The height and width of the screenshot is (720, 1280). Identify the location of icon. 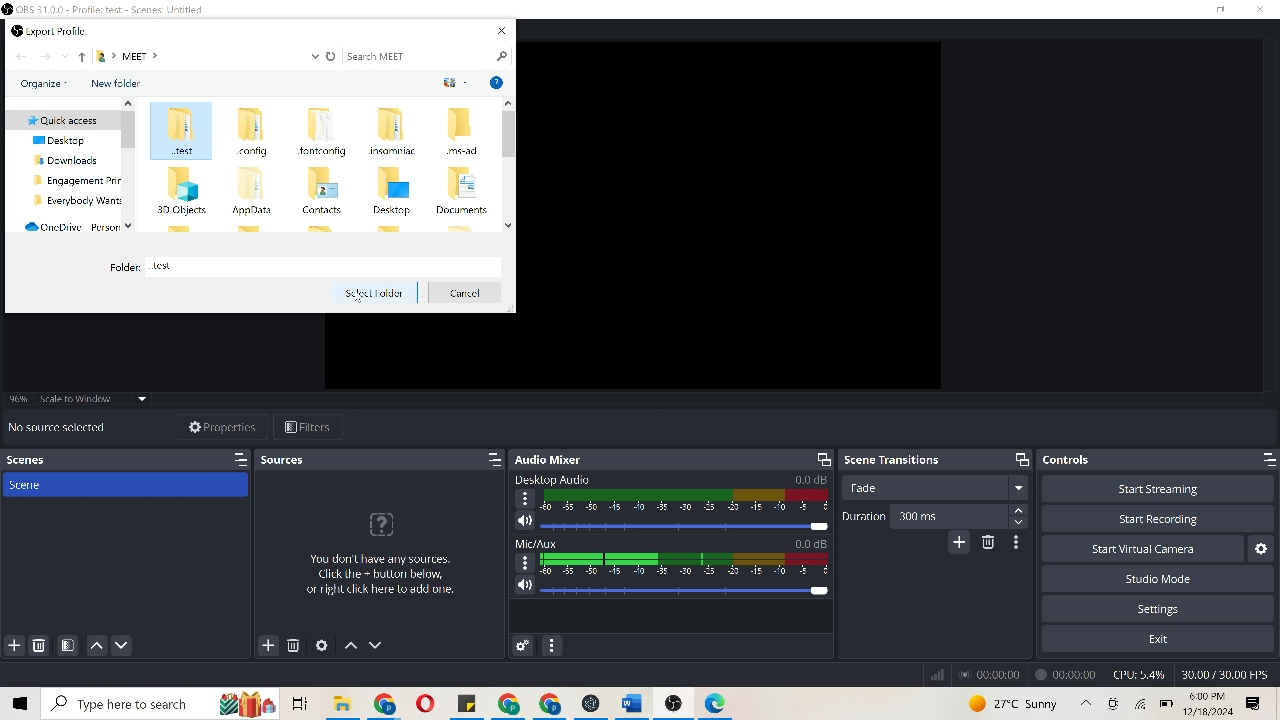
(1114, 702).